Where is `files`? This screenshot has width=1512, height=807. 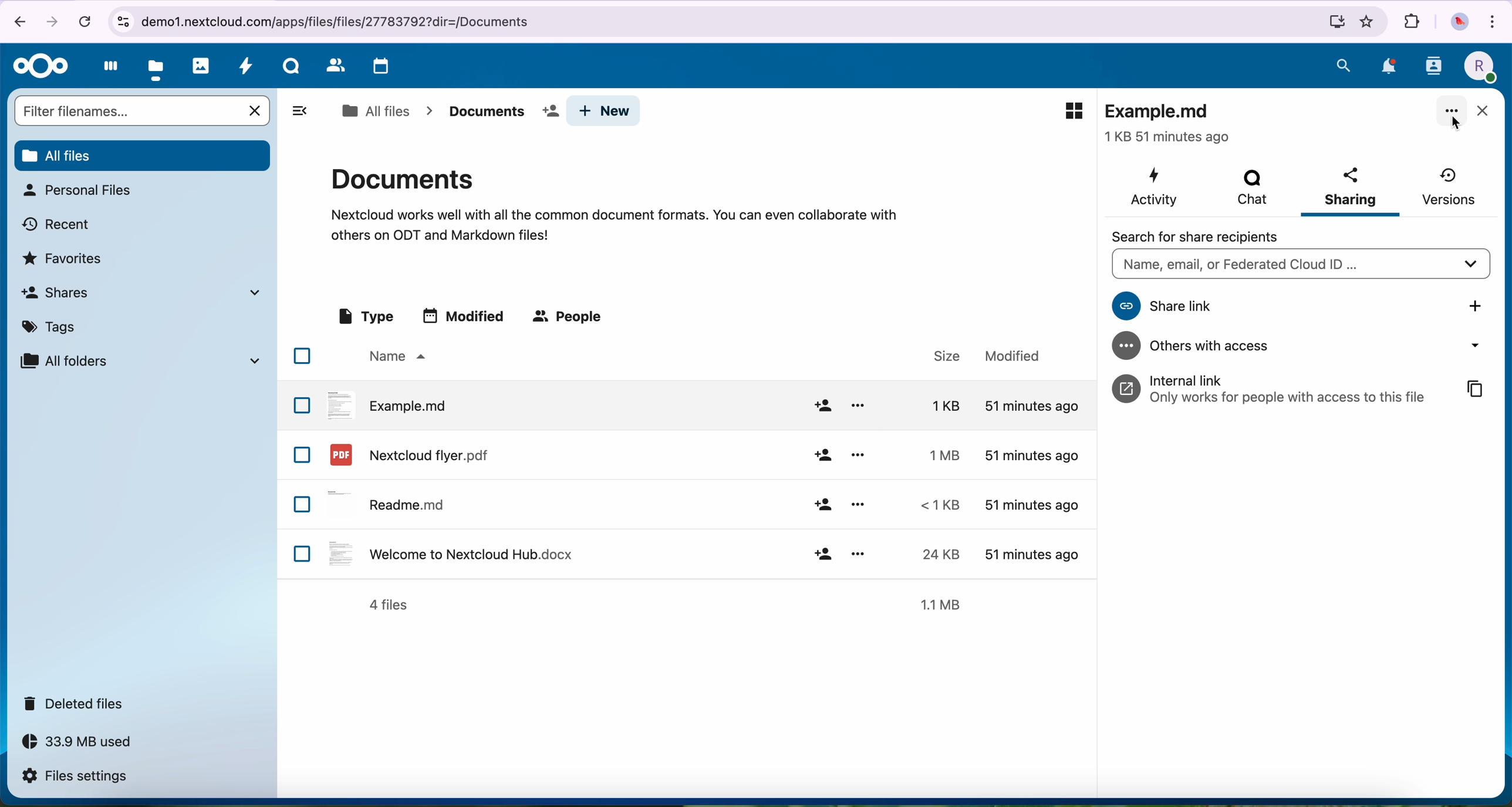 files is located at coordinates (157, 67).